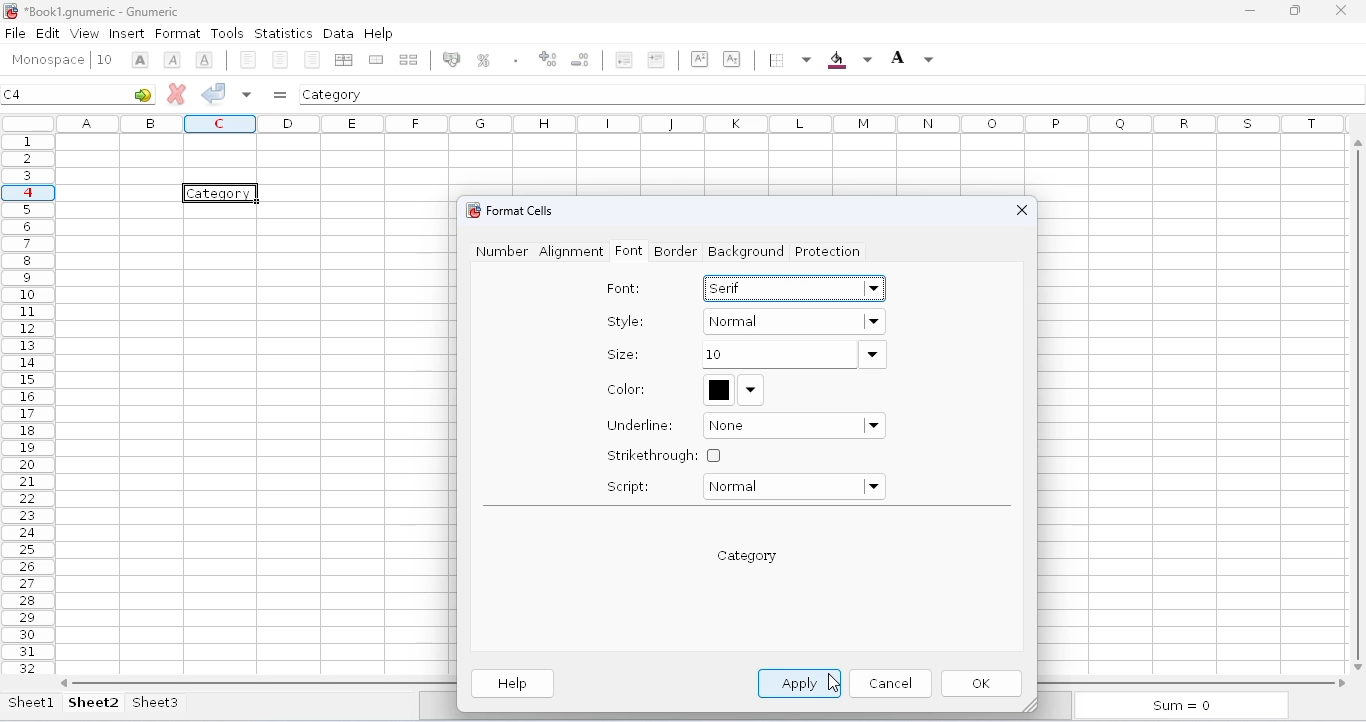 The width and height of the screenshot is (1366, 722). I want to click on underline:, so click(641, 425).